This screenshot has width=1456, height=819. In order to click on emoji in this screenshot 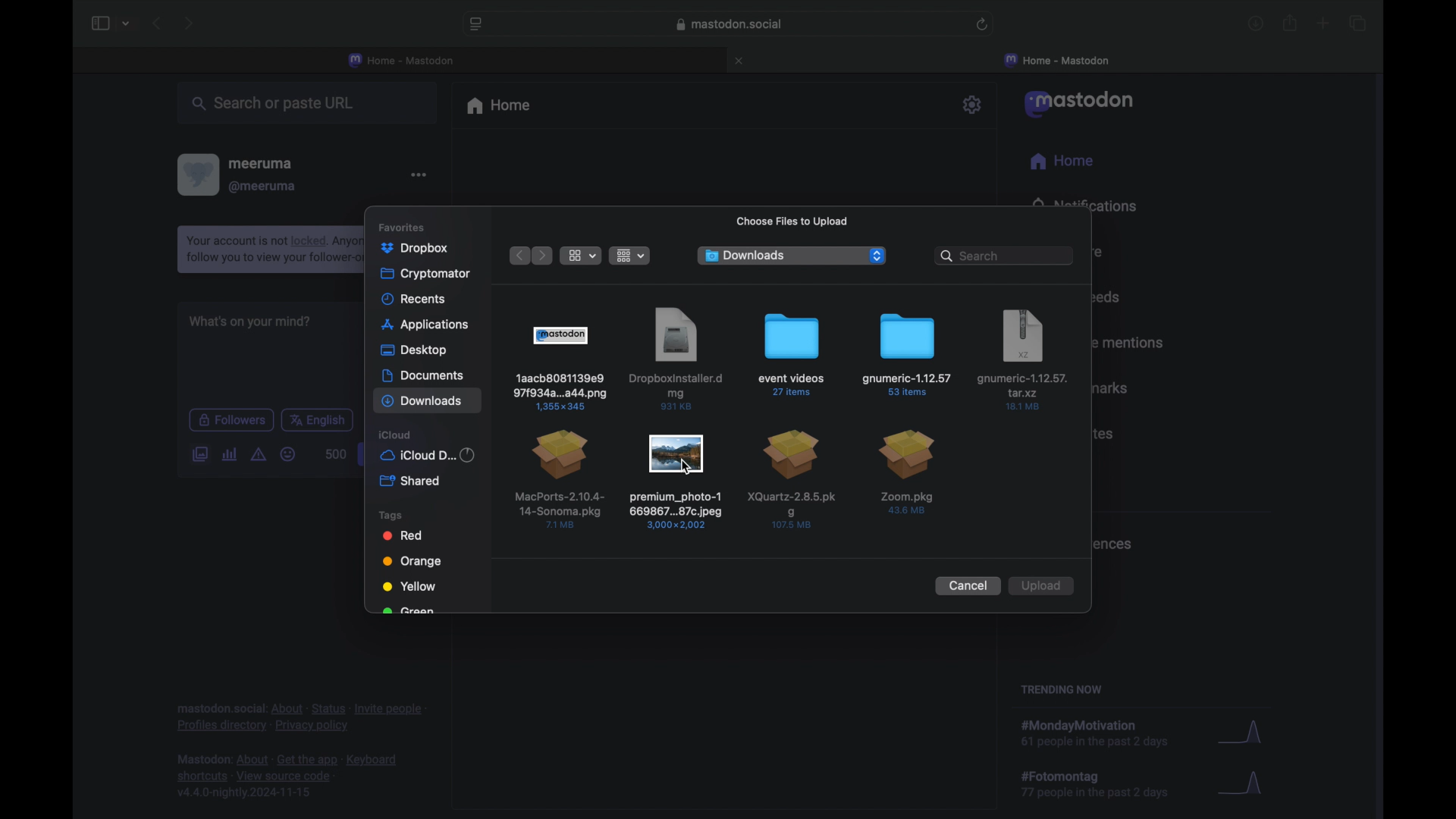, I will do `click(288, 455)`.